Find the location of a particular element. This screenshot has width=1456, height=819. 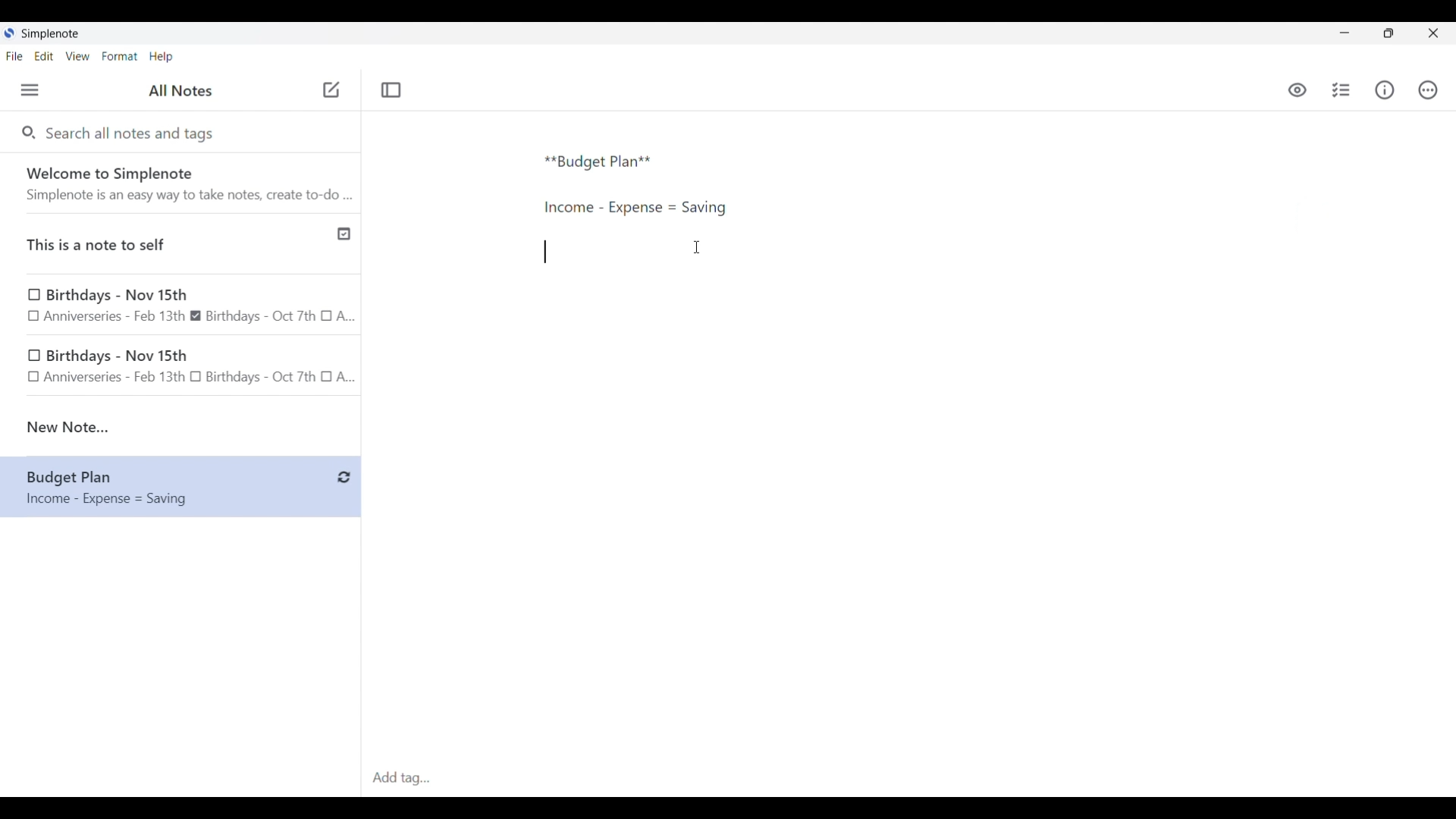

Toggle to see markdown preview is located at coordinates (1298, 90).